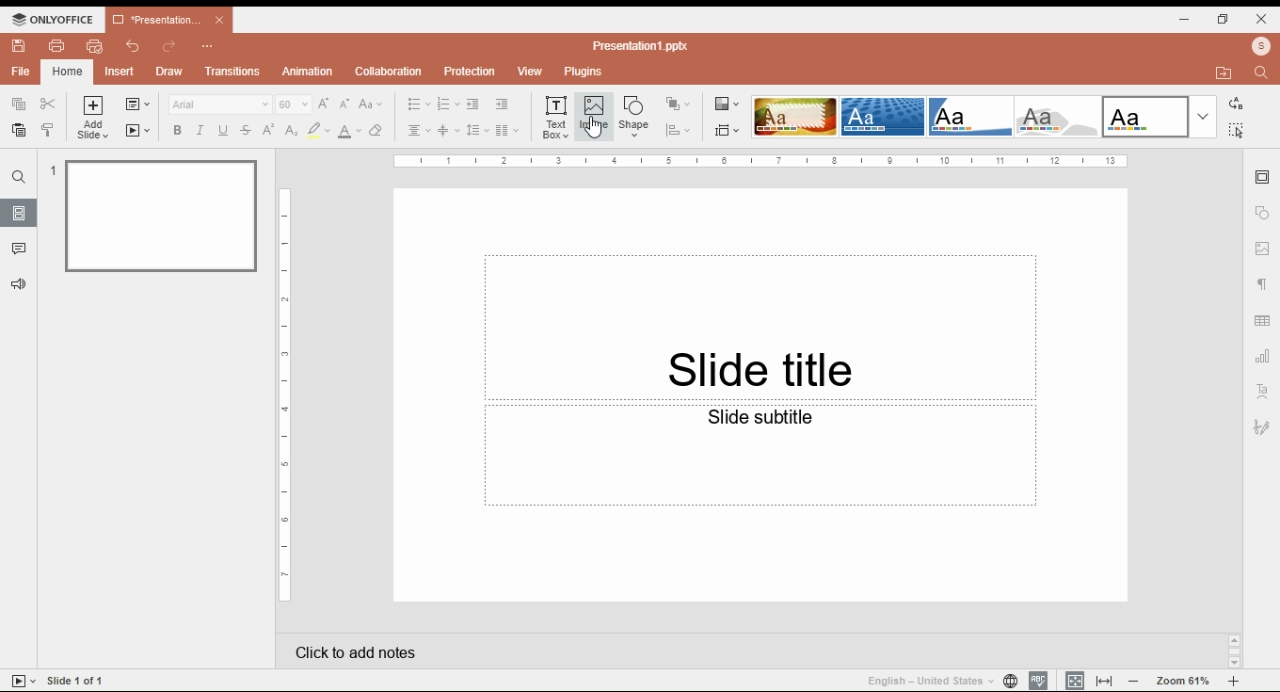 Image resolution: width=1280 pixels, height=692 pixels. What do you see at coordinates (1222, 20) in the screenshot?
I see `restore` at bounding box center [1222, 20].